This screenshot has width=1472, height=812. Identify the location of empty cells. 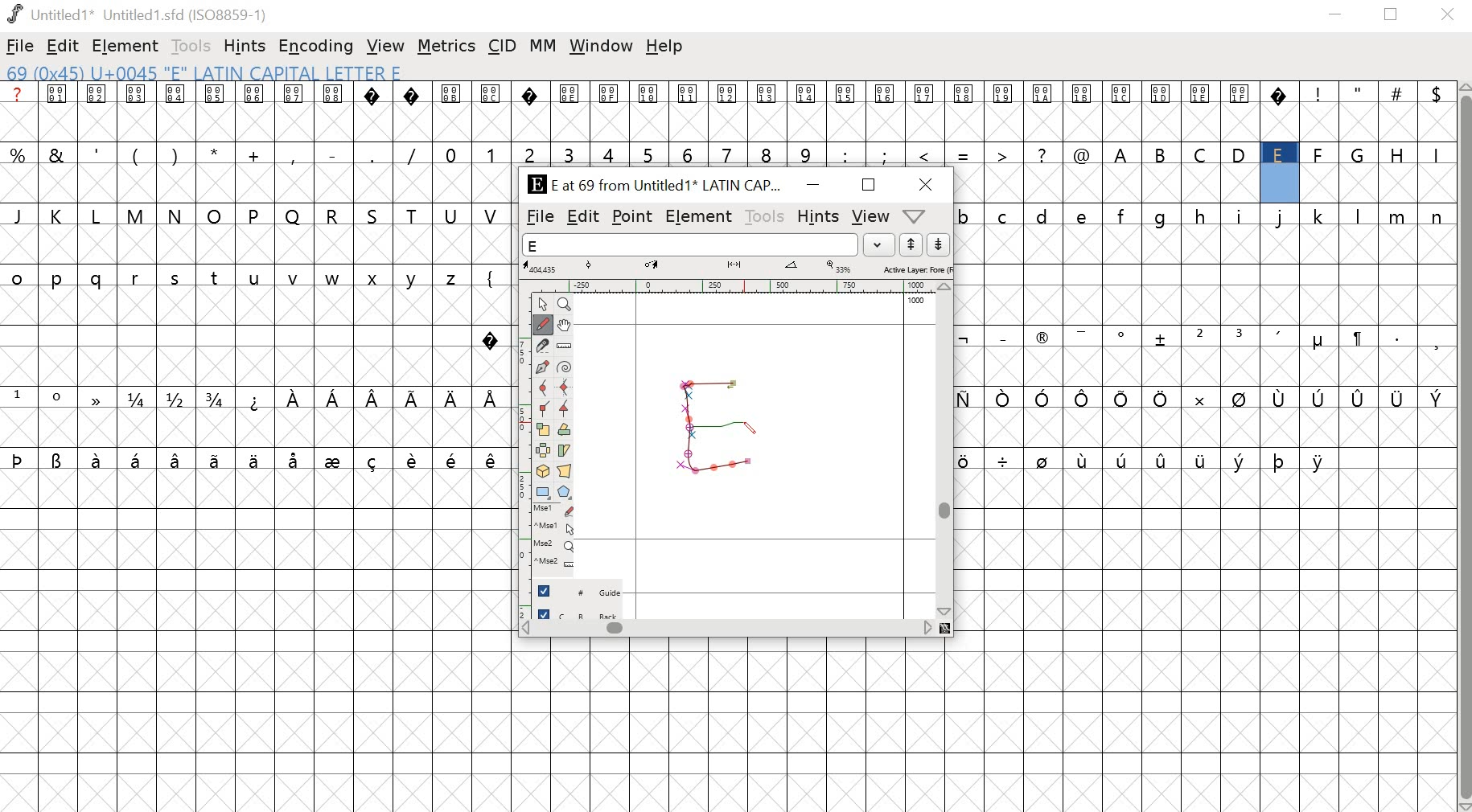
(254, 430).